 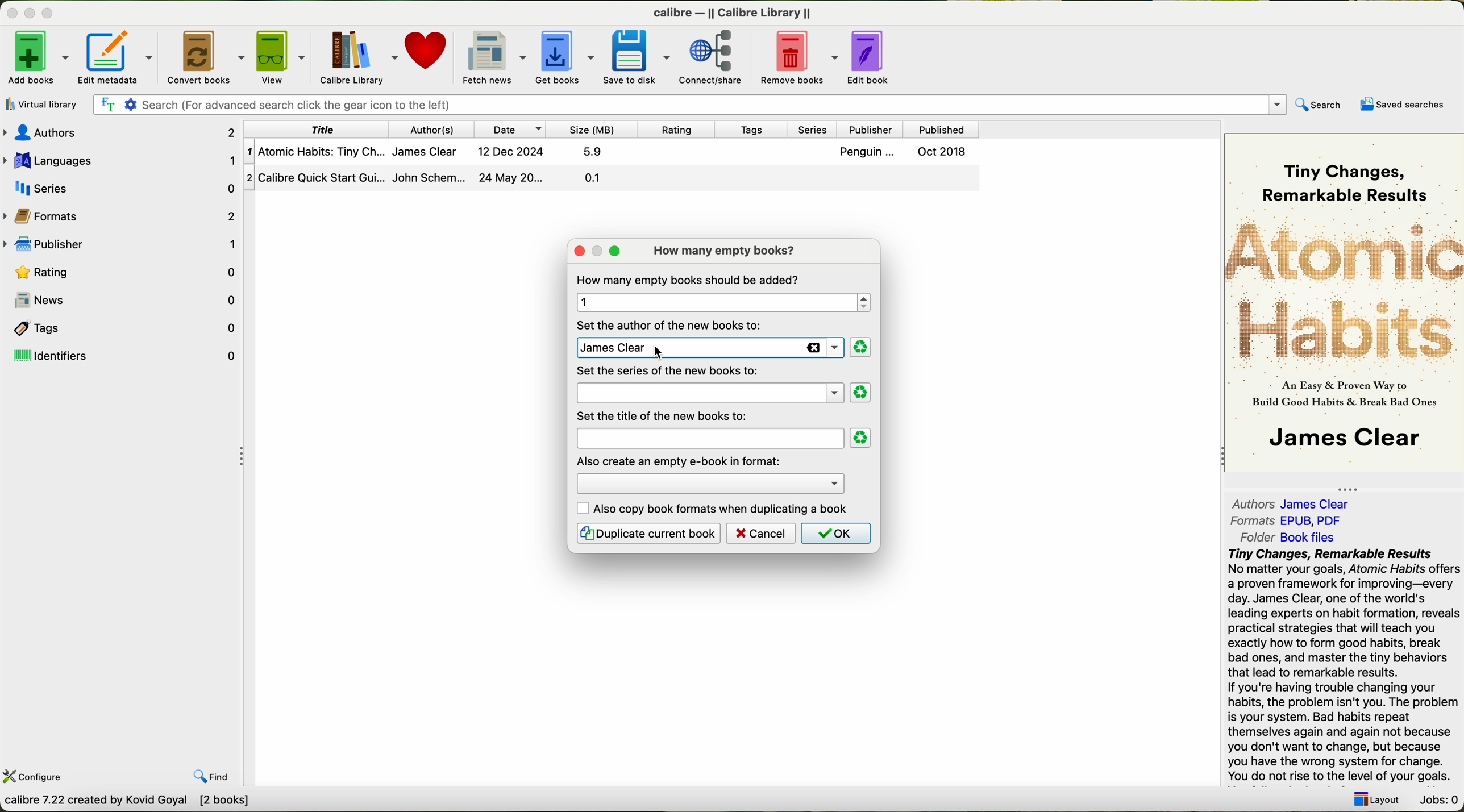 I want to click on convert books, so click(x=203, y=56).